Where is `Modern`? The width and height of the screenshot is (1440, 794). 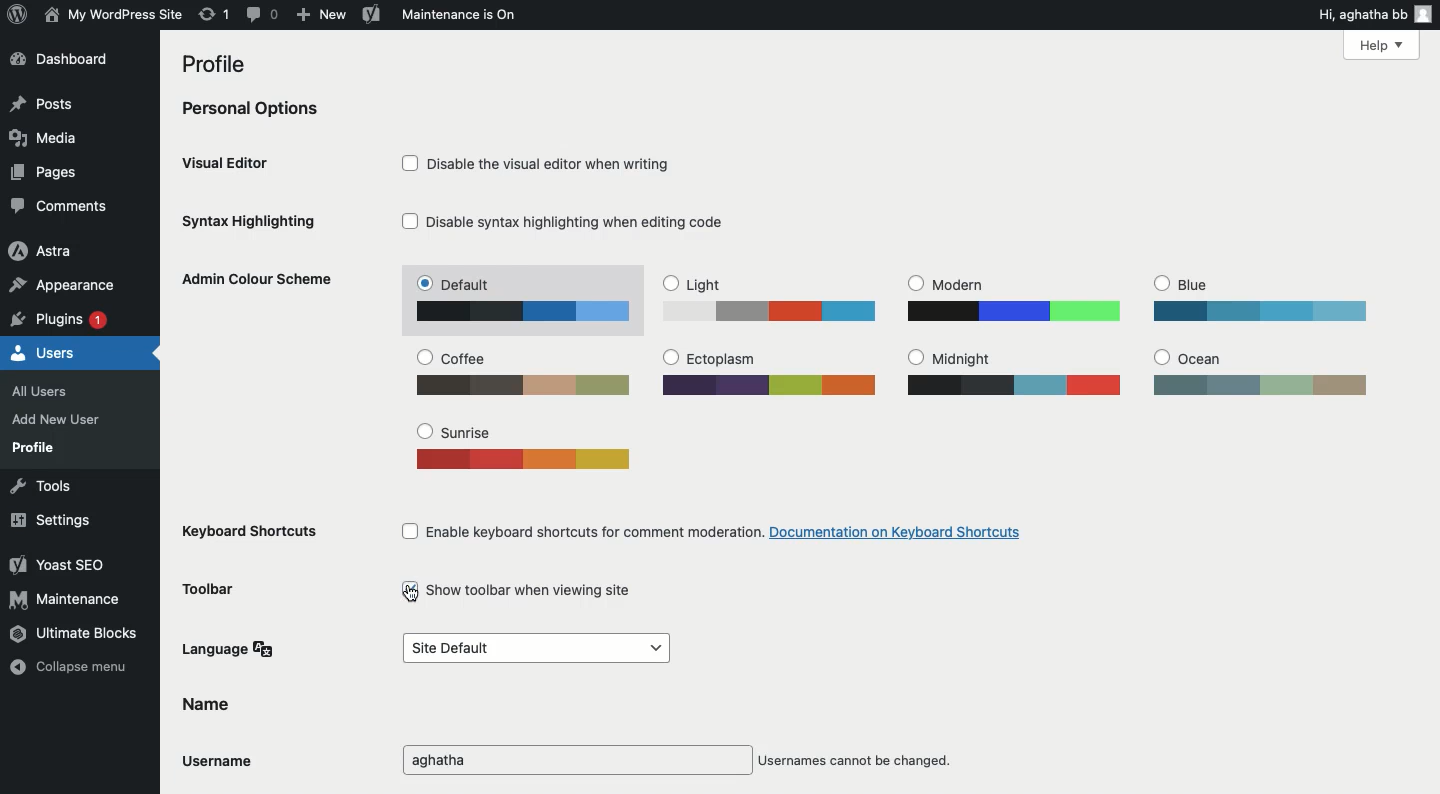 Modern is located at coordinates (1016, 300).